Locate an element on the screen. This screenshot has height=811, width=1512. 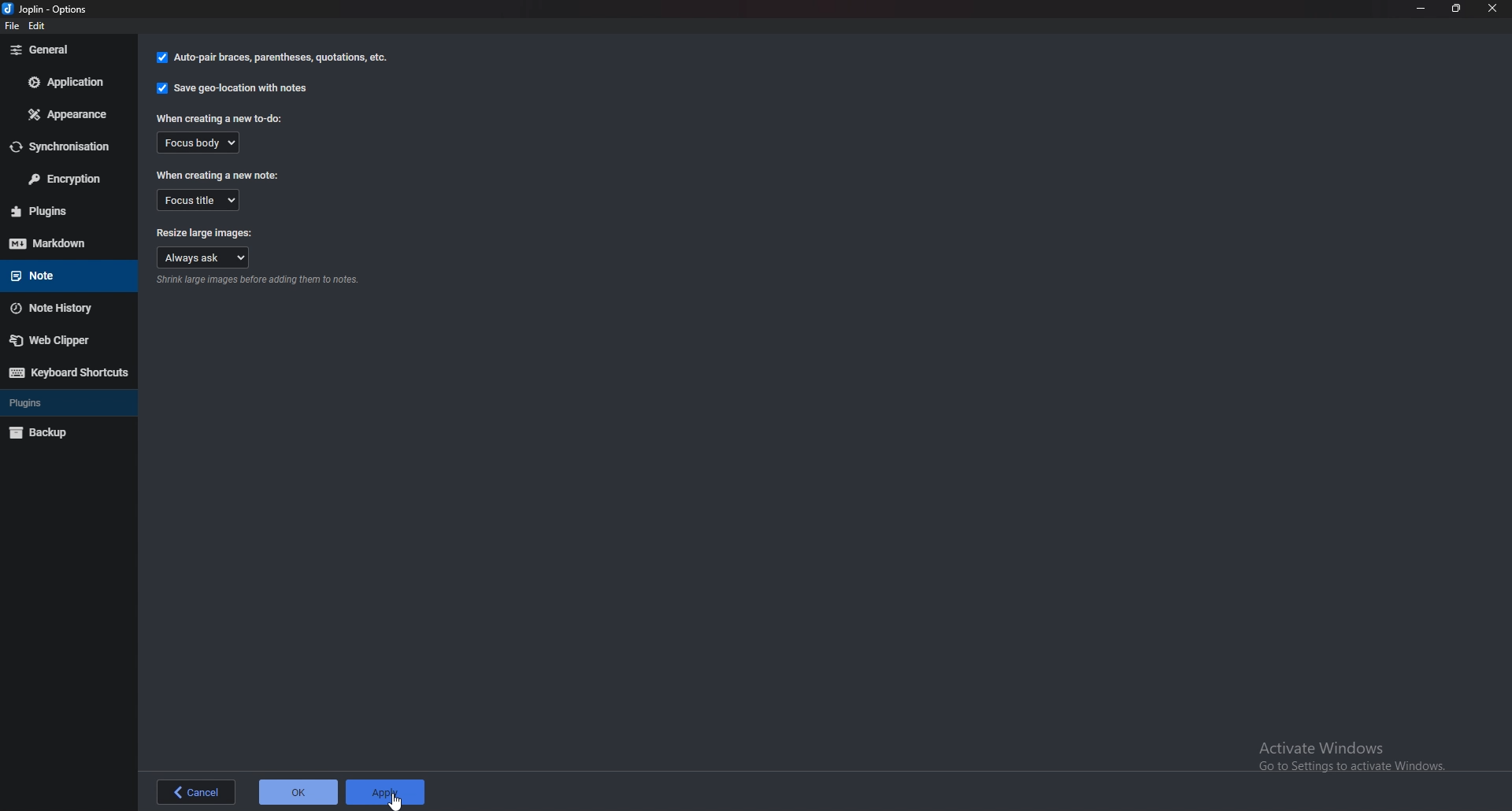
Close is located at coordinates (1492, 8).